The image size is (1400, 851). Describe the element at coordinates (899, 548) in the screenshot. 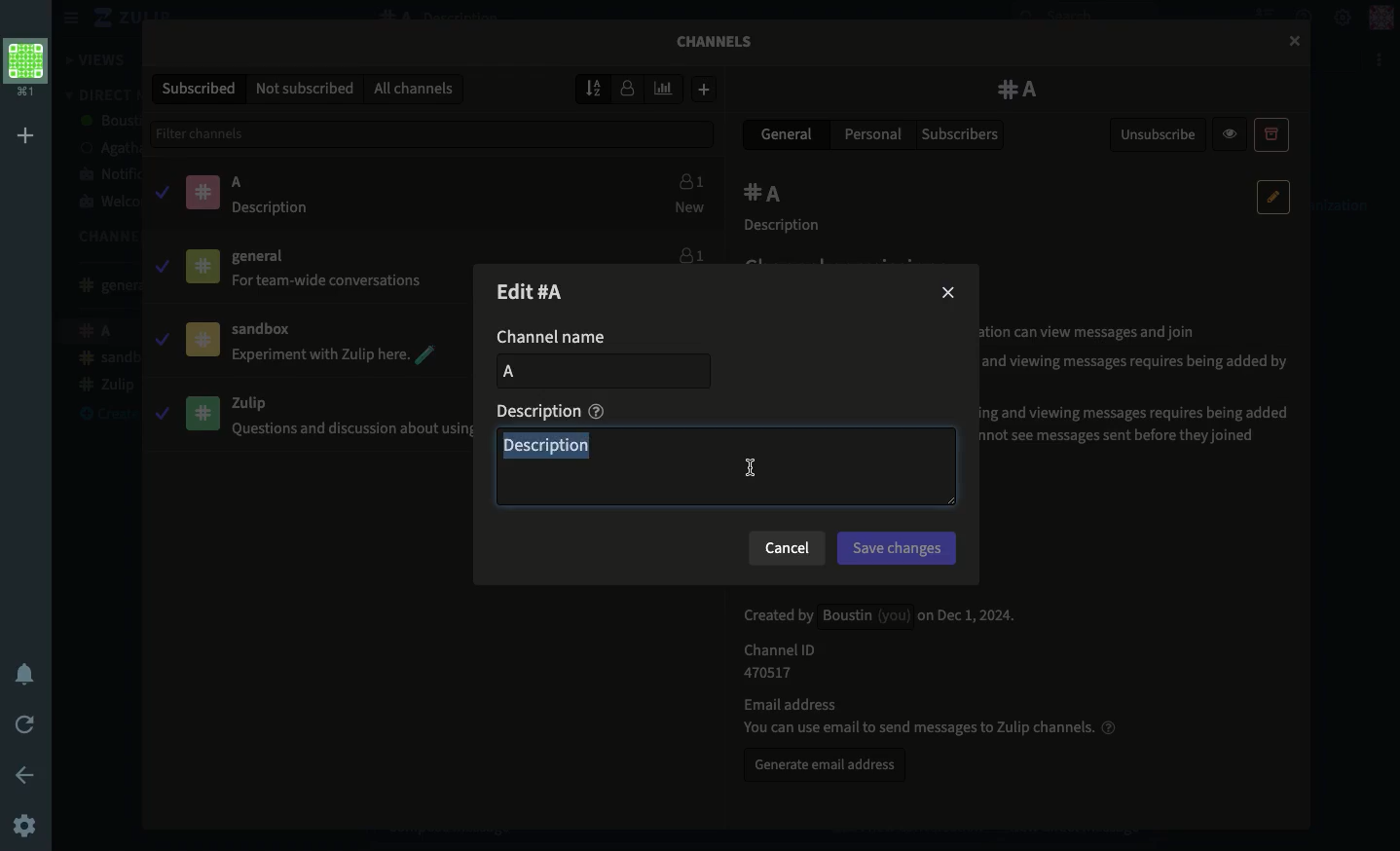

I see `Save changes` at that location.